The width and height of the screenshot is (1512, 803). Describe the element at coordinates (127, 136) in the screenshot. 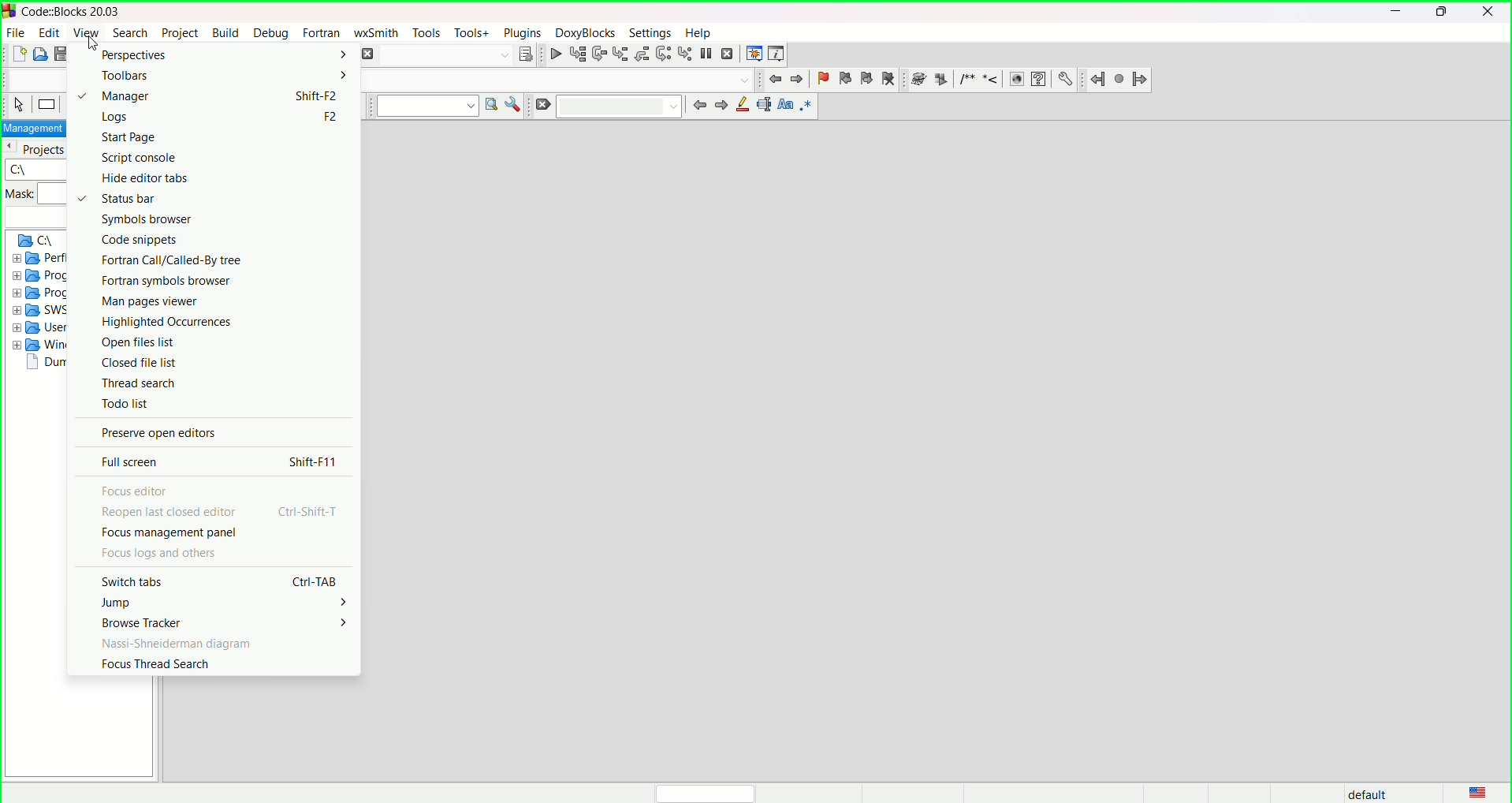

I see `start page` at that location.